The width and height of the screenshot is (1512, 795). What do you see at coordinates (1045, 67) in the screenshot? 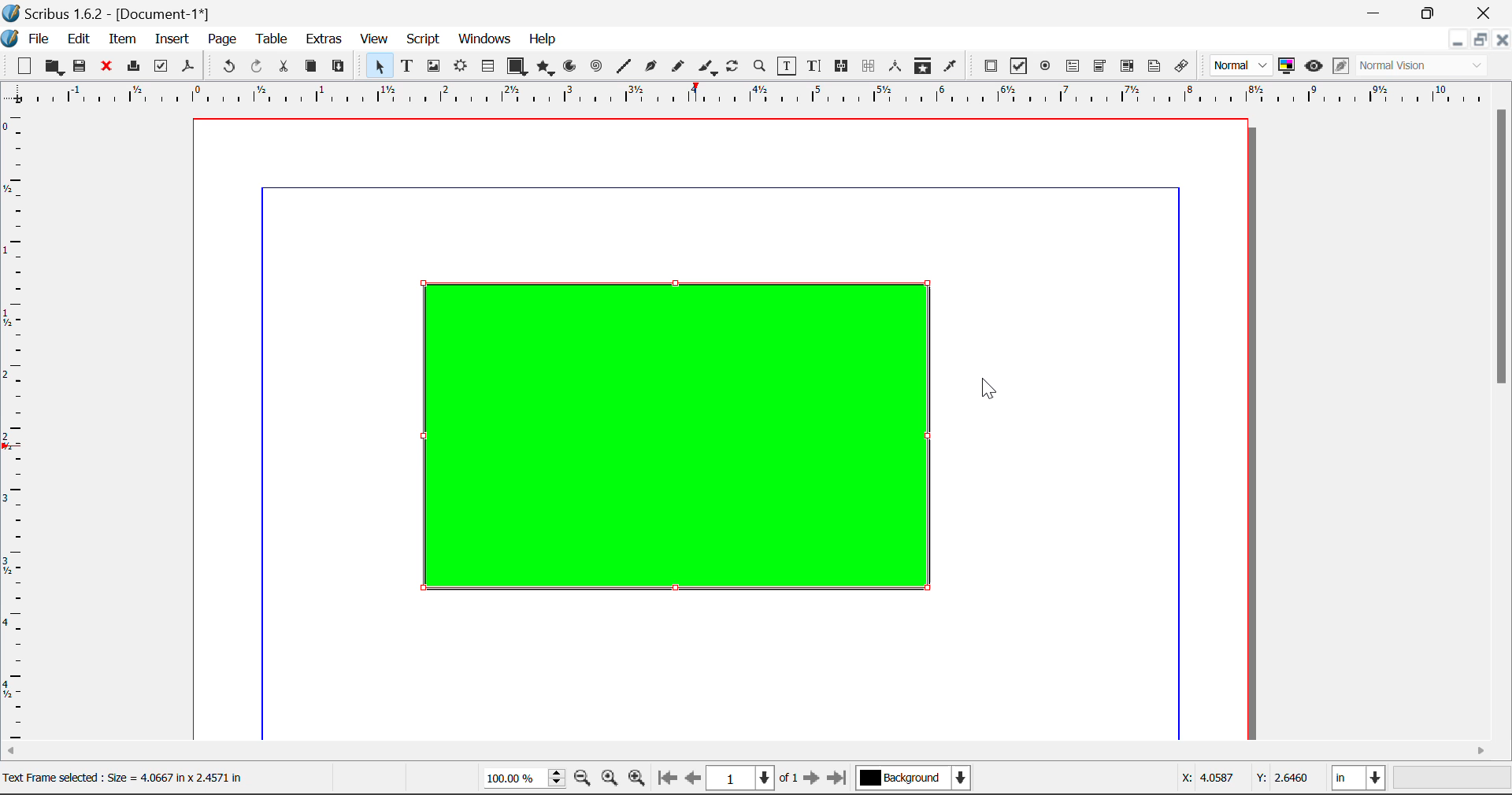
I see `Pdf Radio Button` at bounding box center [1045, 67].